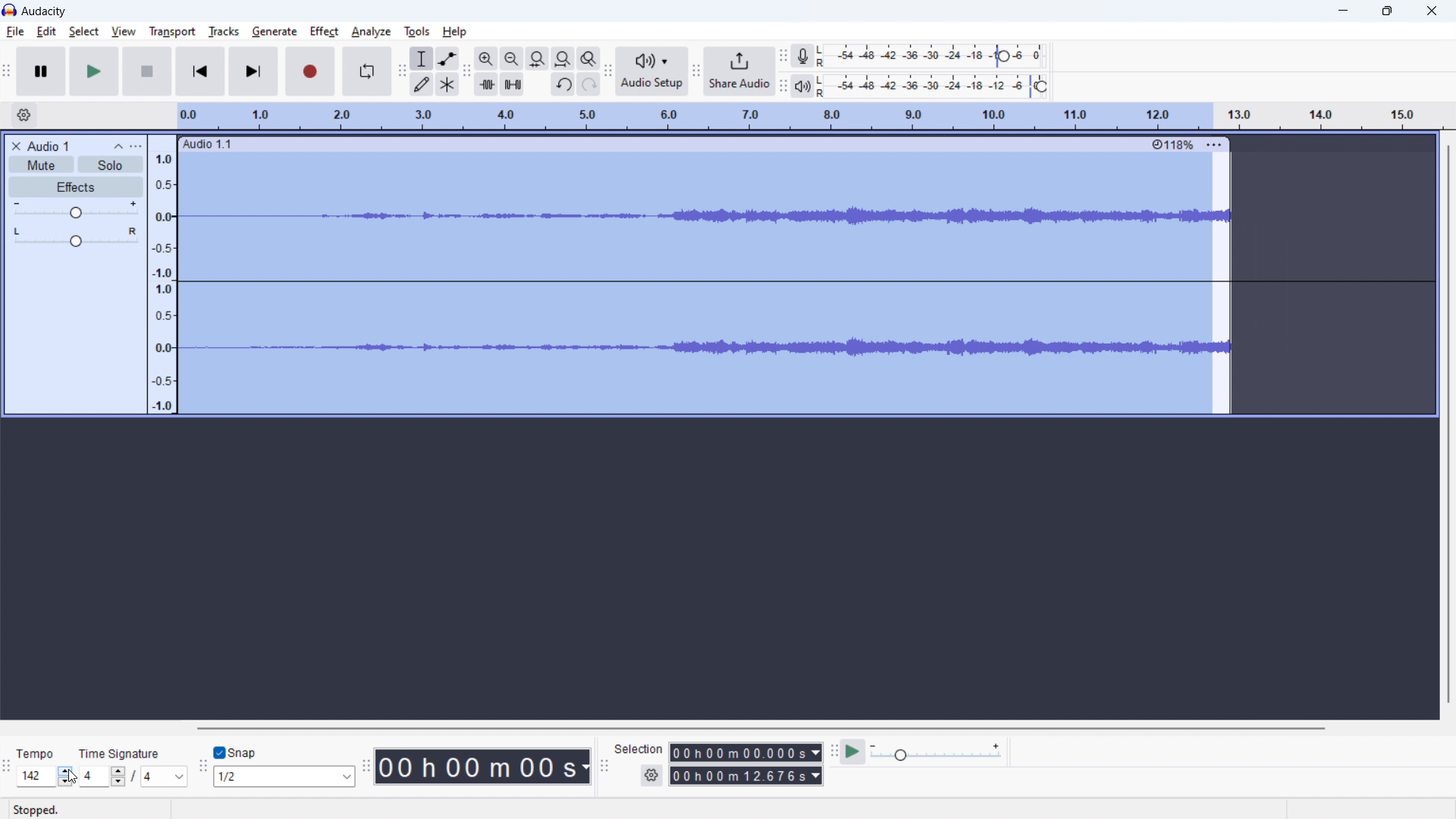  I want to click on record level, so click(950, 85).